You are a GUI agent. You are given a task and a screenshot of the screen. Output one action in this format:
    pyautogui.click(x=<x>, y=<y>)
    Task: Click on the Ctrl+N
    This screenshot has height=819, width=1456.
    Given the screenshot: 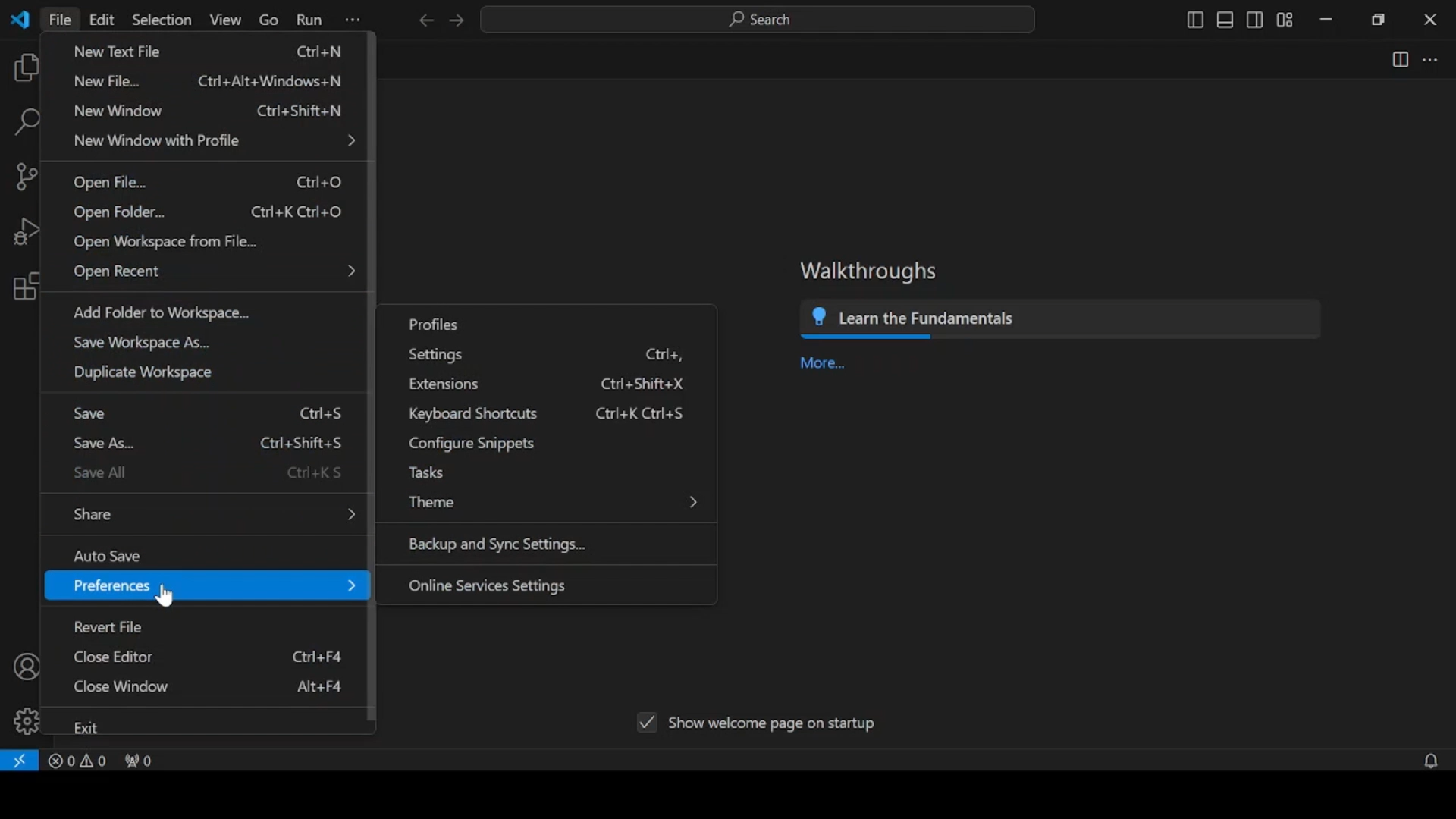 What is the action you would take?
    pyautogui.click(x=320, y=52)
    